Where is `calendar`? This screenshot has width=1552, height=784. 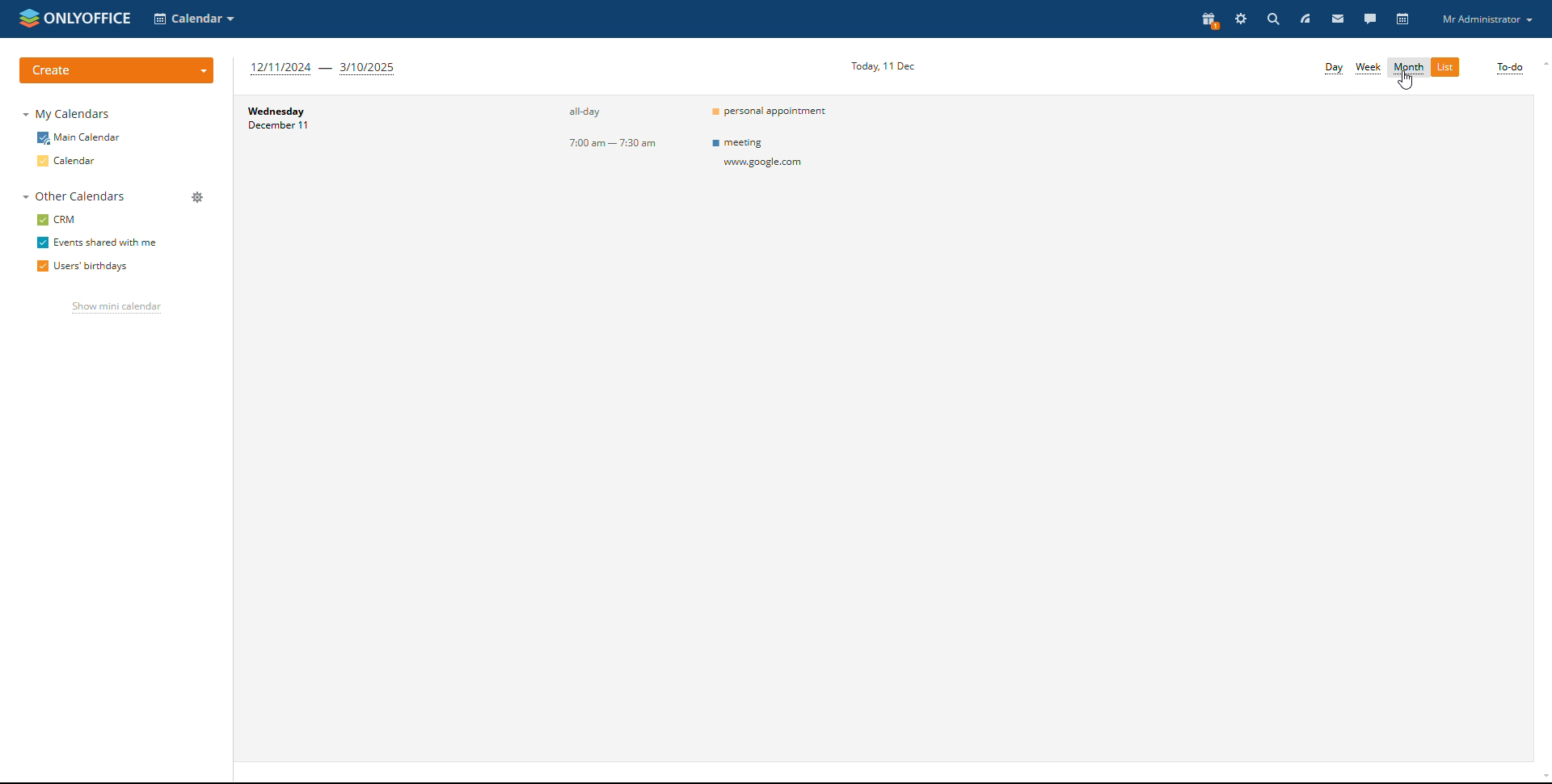 calendar is located at coordinates (1402, 19).